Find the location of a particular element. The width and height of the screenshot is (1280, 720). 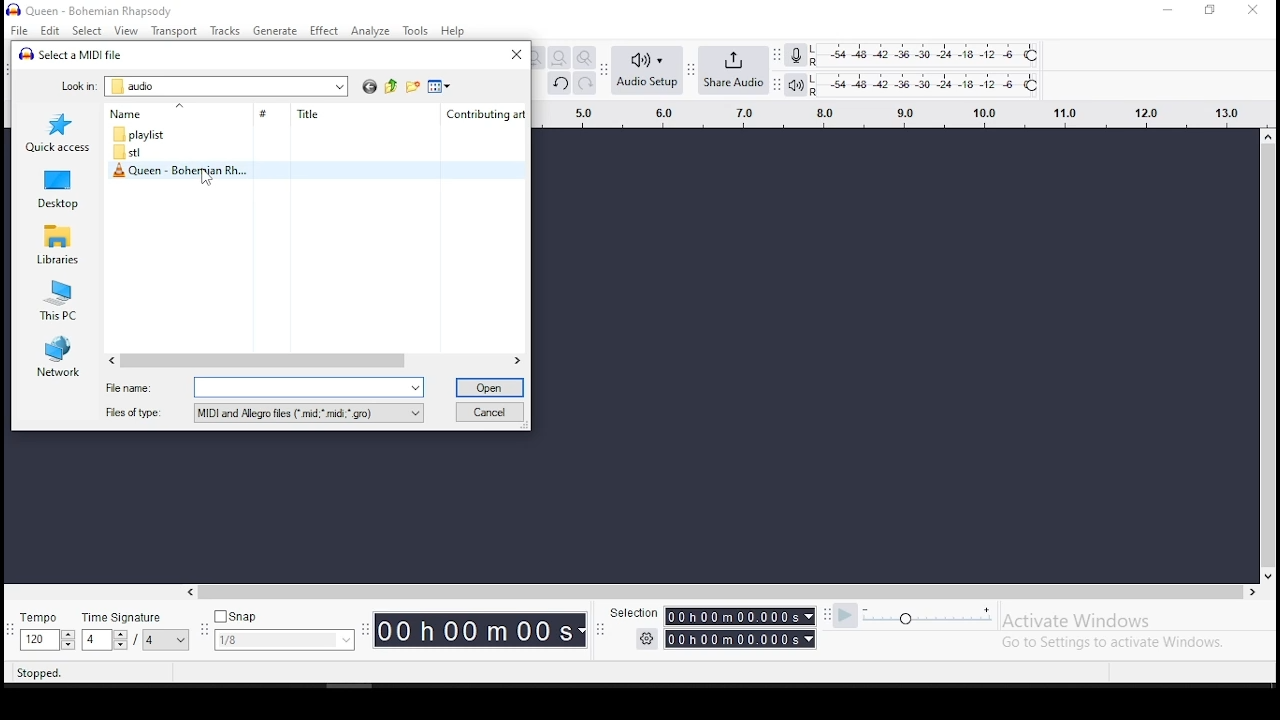

minimize is located at coordinates (1165, 10).